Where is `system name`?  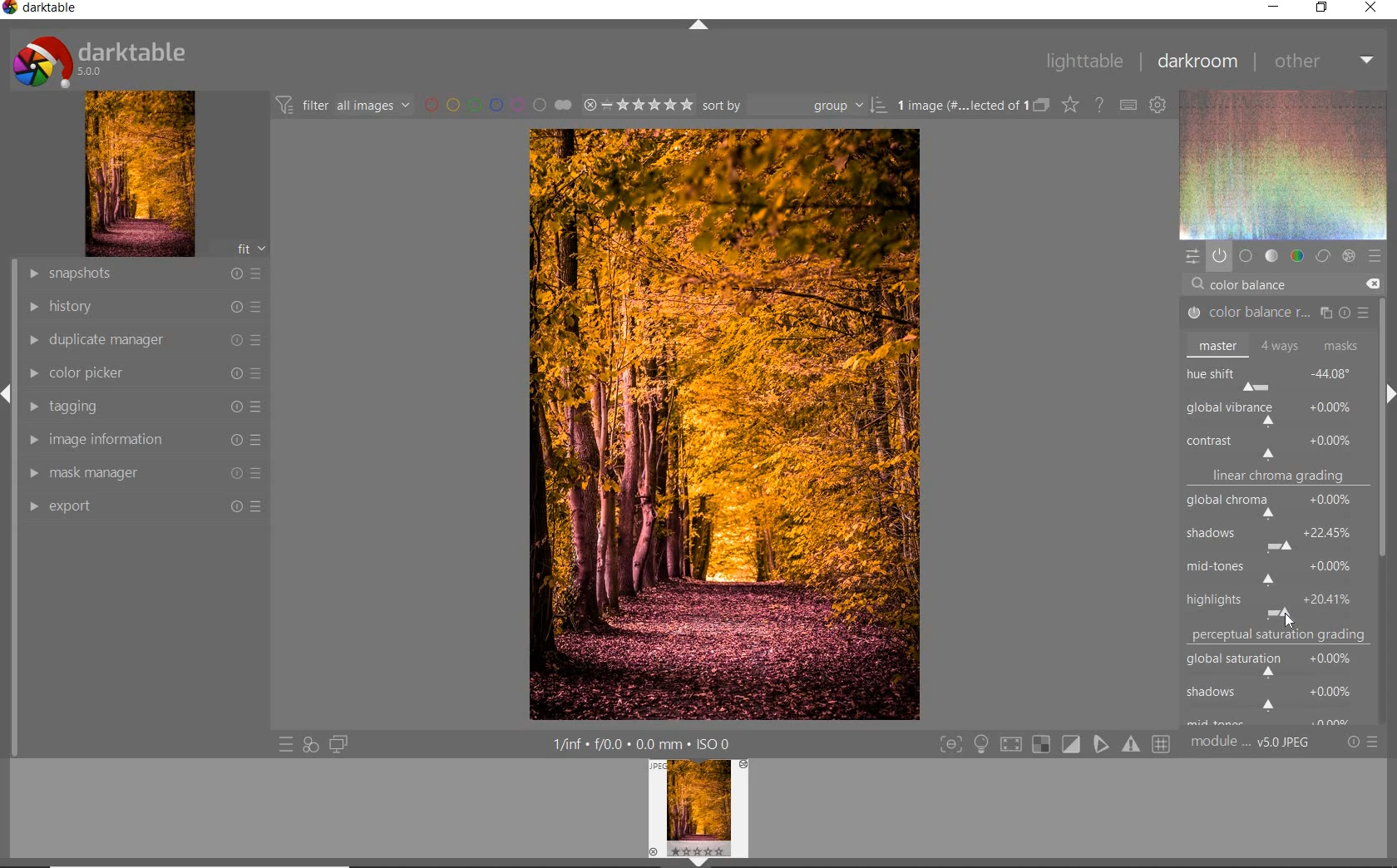 system name is located at coordinates (40, 8).